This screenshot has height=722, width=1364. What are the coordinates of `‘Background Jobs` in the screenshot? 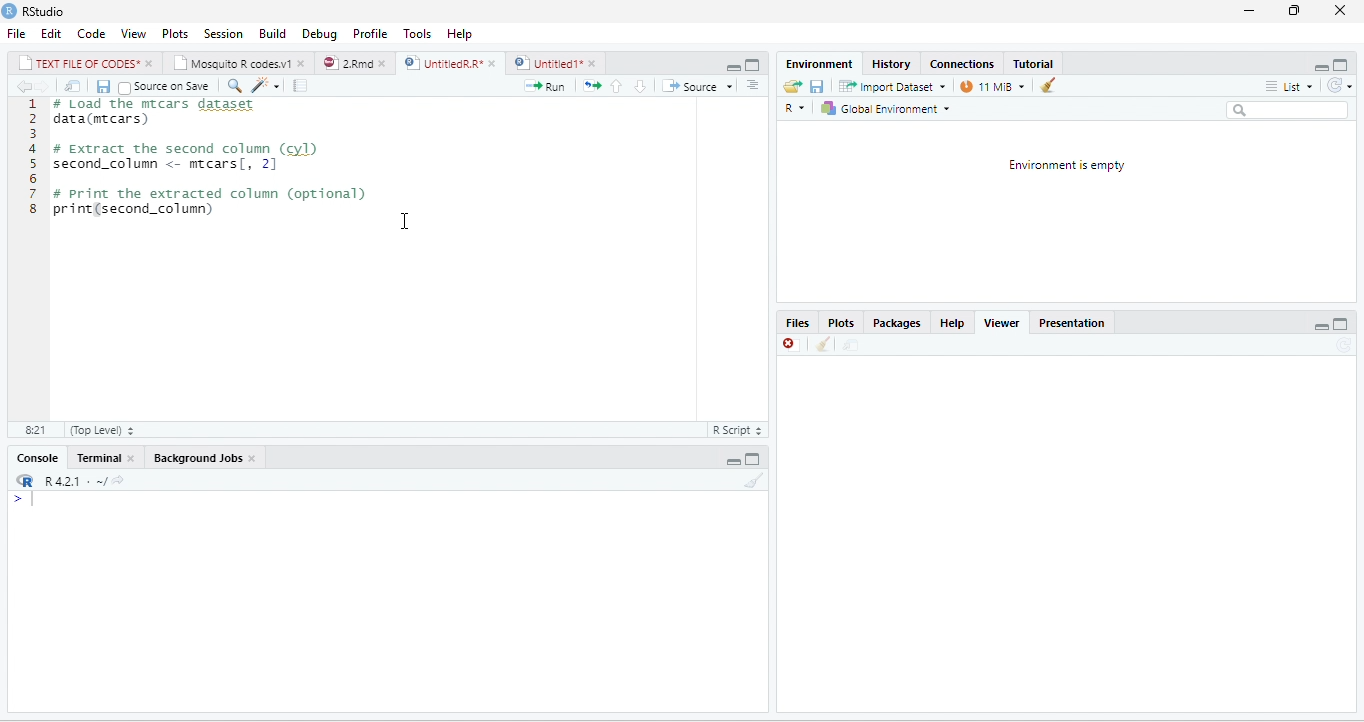 It's located at (195, 457).